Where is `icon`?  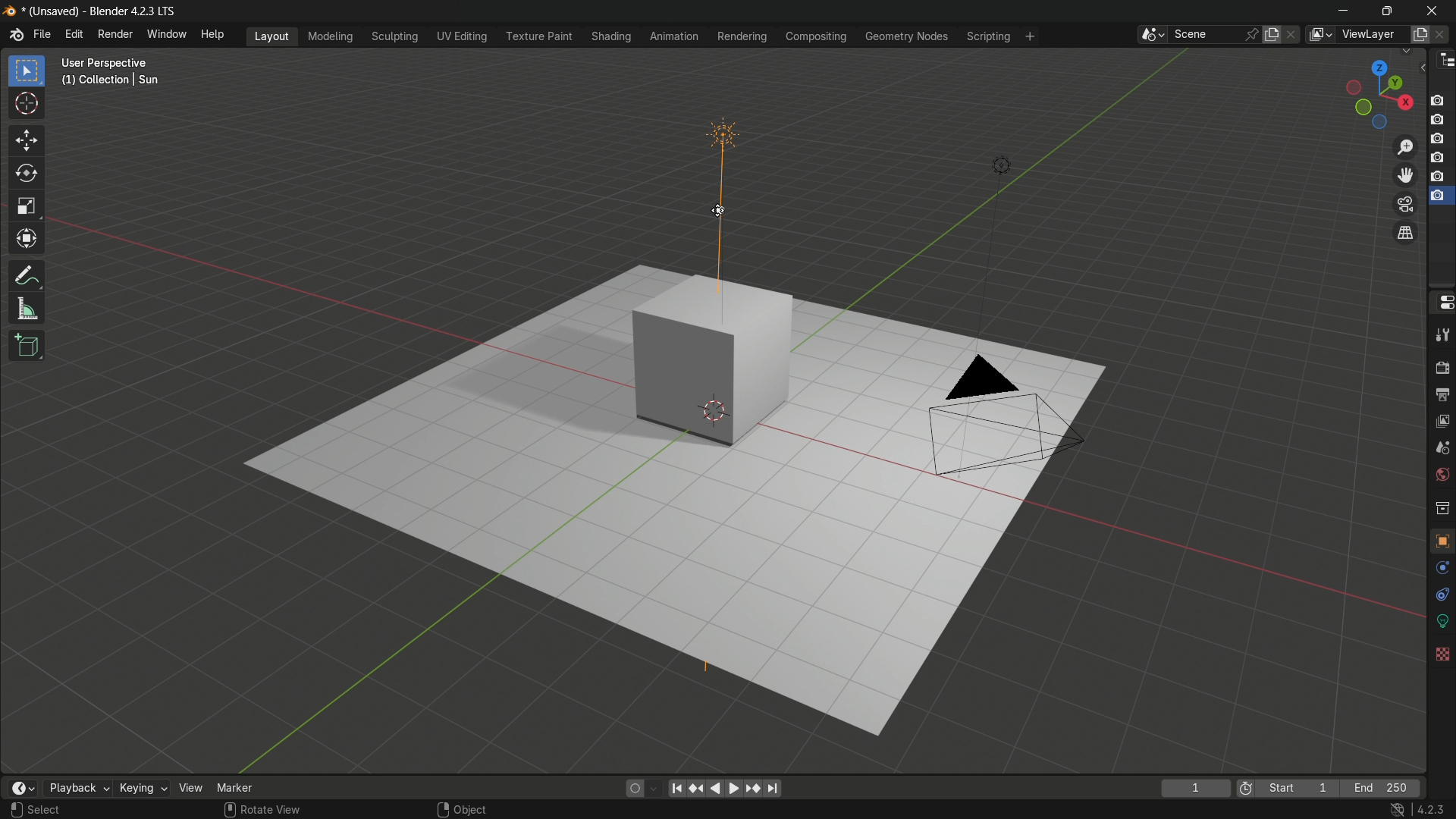
icon is located at coordinates (1244, 786).